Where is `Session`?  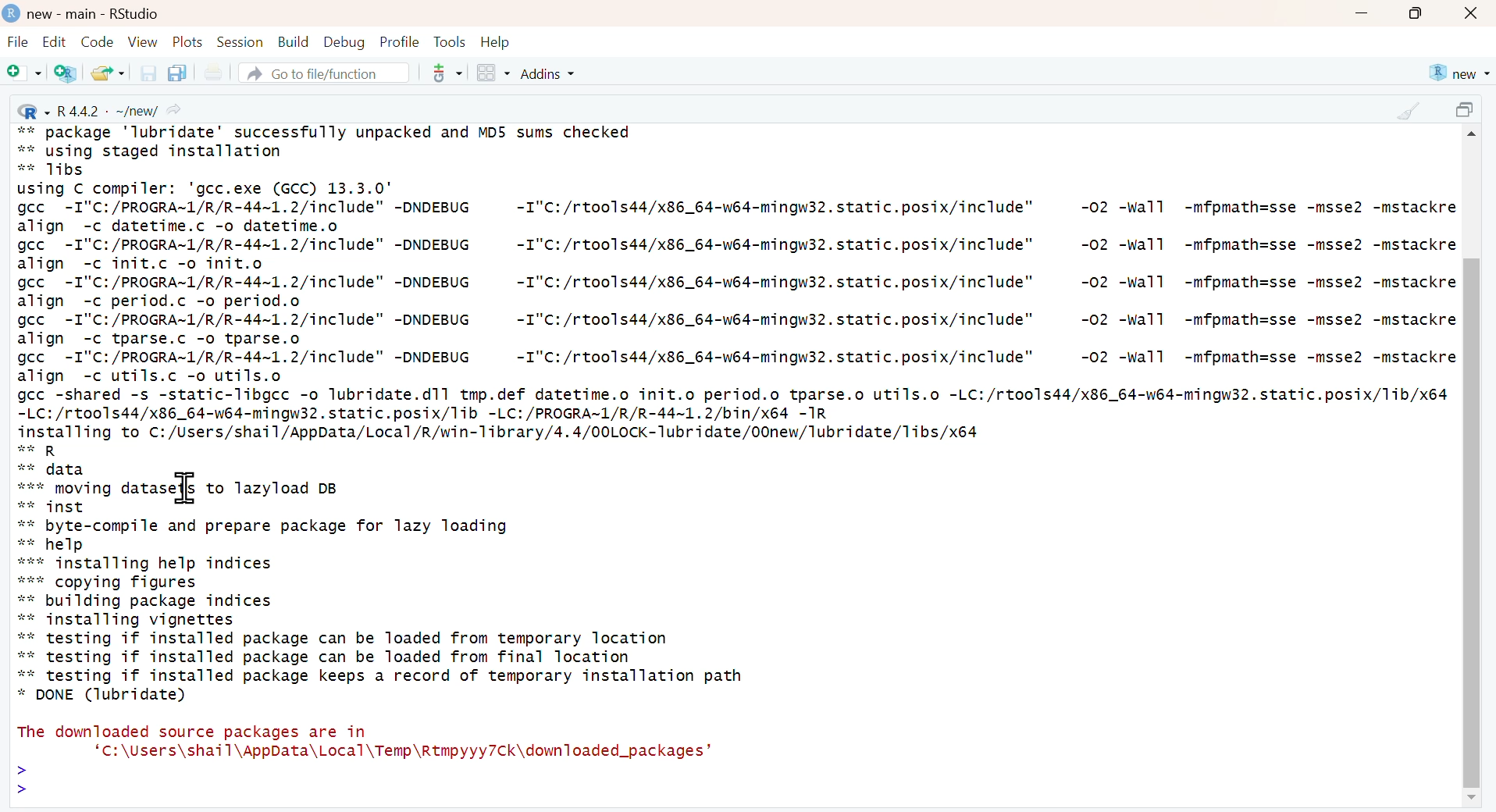
Session is located at coordinates (240, 41).